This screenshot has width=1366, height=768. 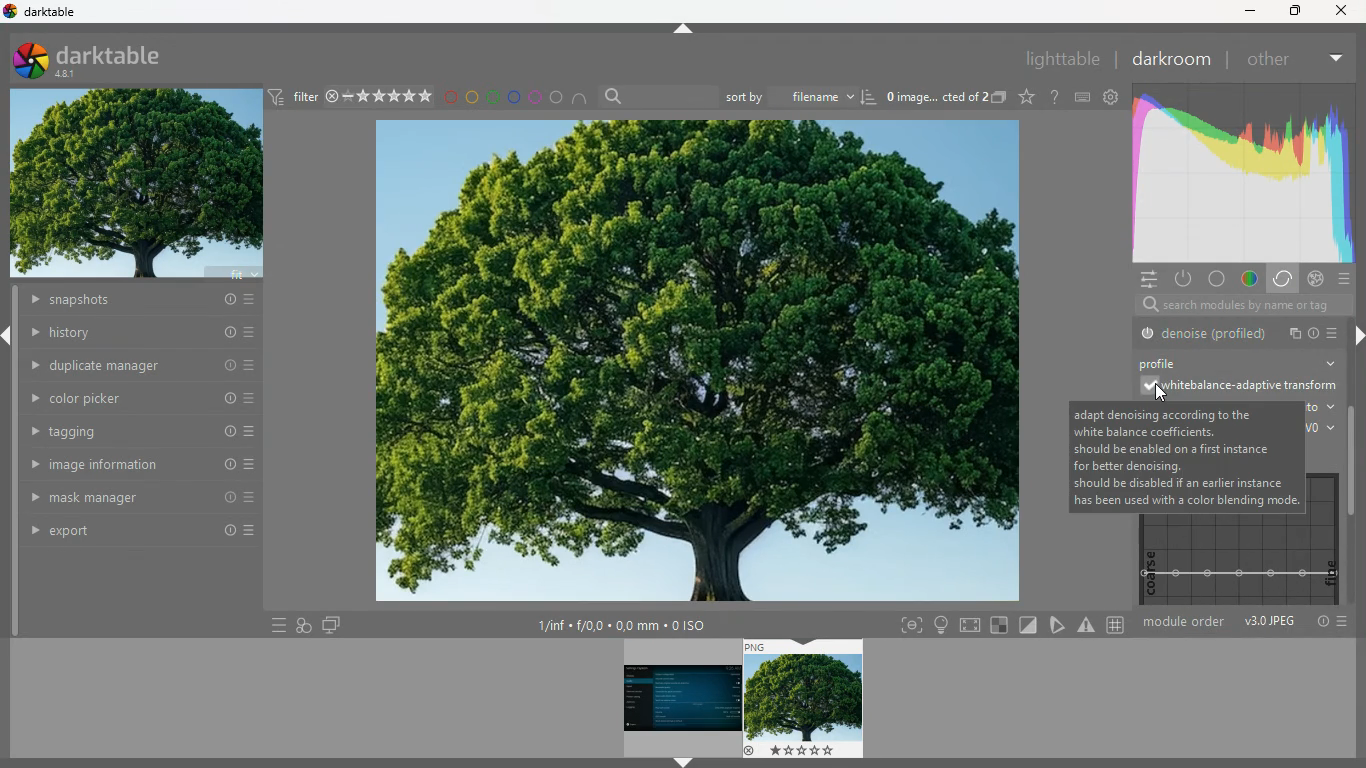 I want to click on duplicate manager, so click(x=147, y=365).